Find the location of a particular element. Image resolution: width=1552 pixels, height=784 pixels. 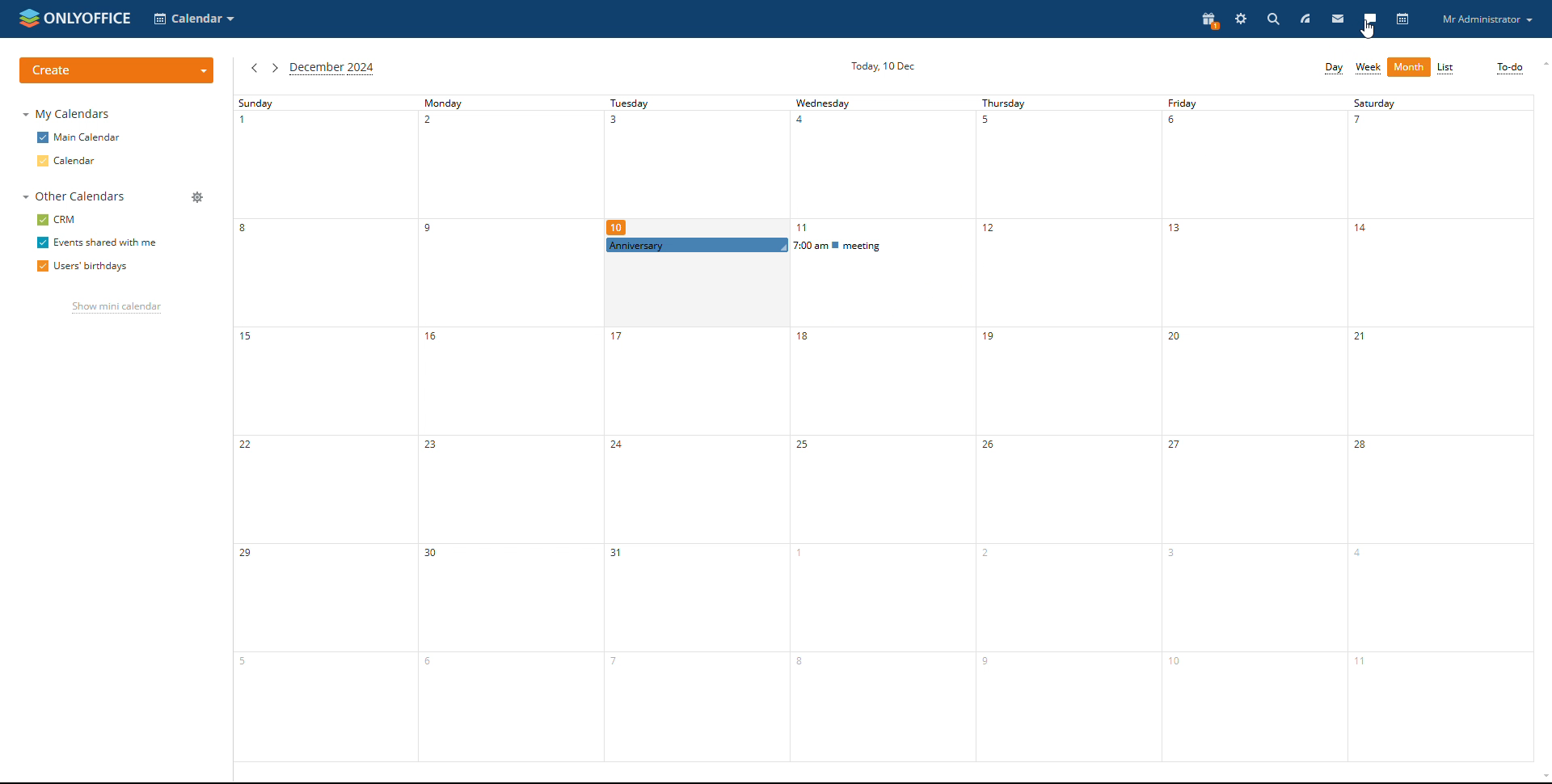

scroll up is located at coordinates (1542, 63).